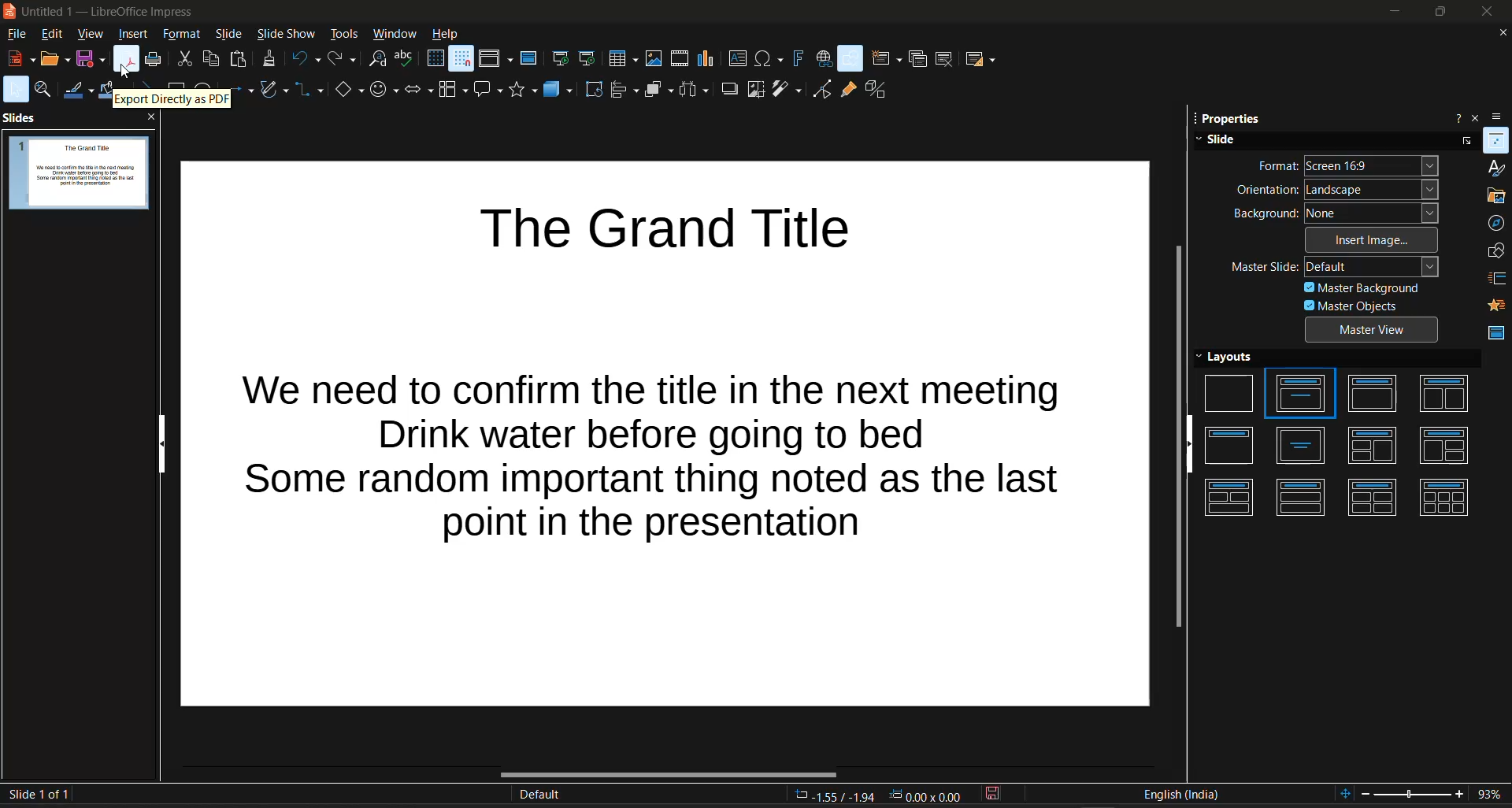 This screenshot has width=1512, height=808. What do you see at coordinates (695, 89) in the screenshot?
I see `distribute` at bounding box center [695, 89].